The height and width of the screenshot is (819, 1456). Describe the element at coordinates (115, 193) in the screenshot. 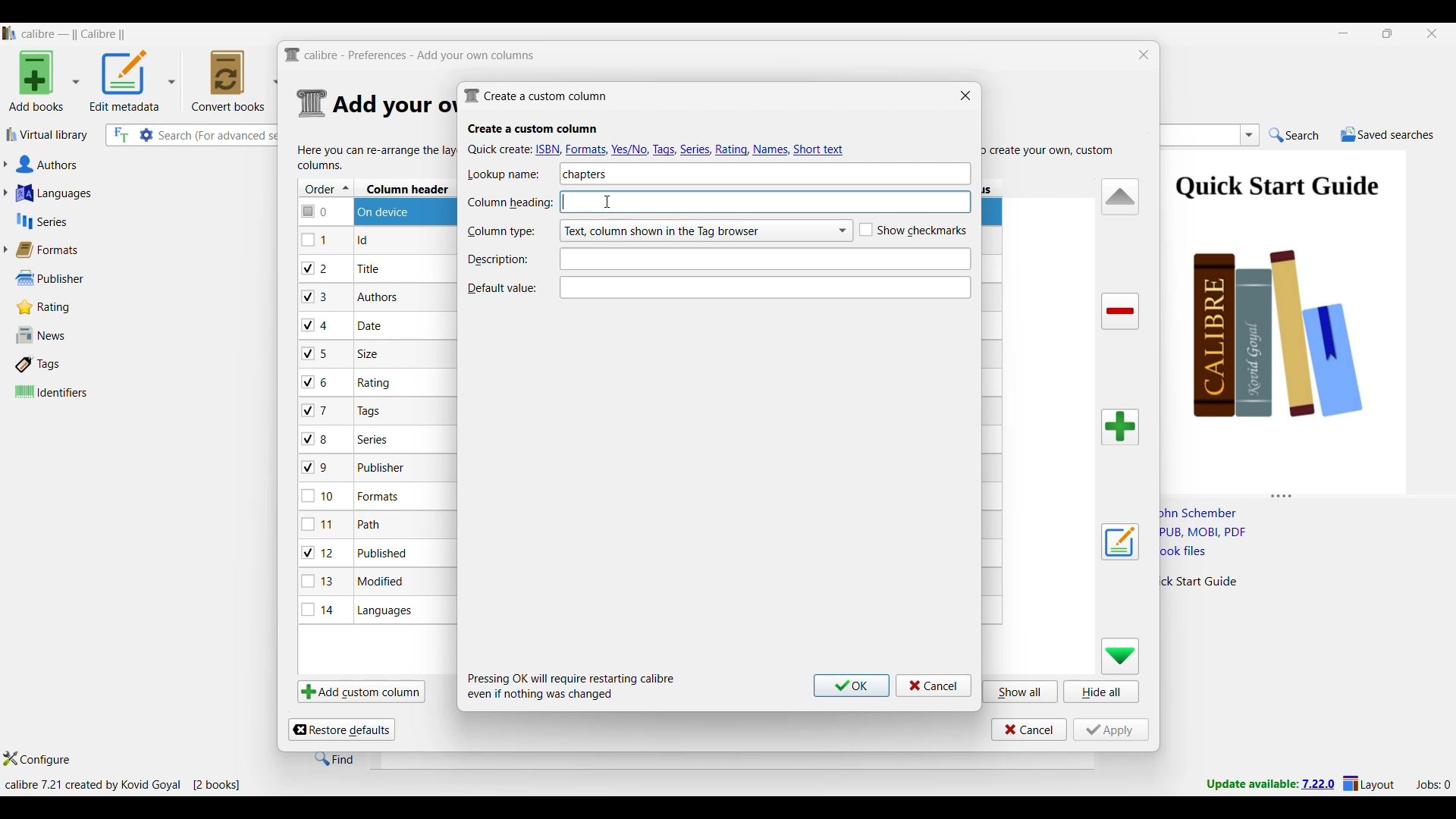

I see `Languages` at that location.